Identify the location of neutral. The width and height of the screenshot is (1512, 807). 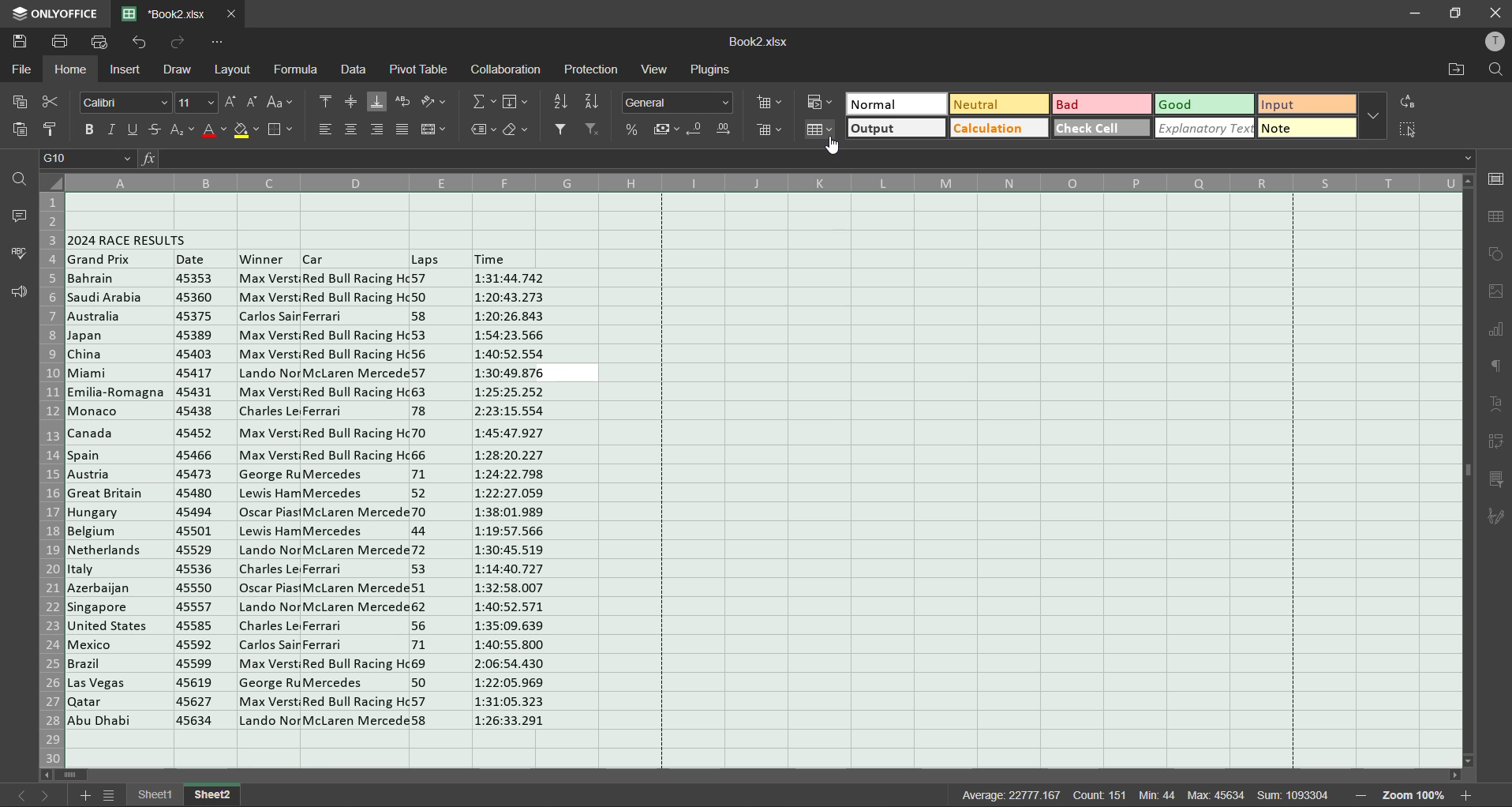
(997, 105).